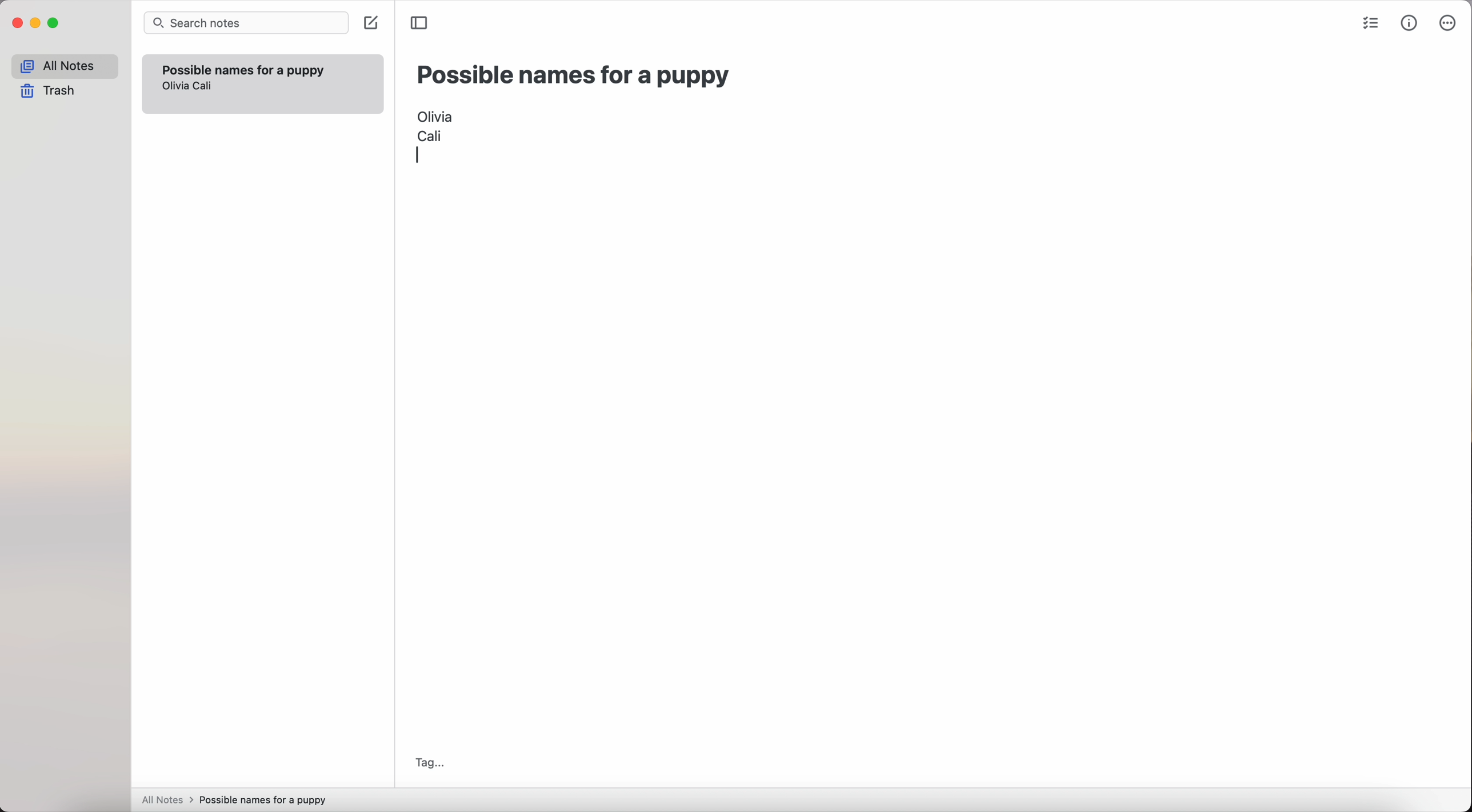 The height and width of the screenshot is (812, 1472). Describe the element at coordinates (436, 114) in the screenshot. I see `Olivia` at that location.